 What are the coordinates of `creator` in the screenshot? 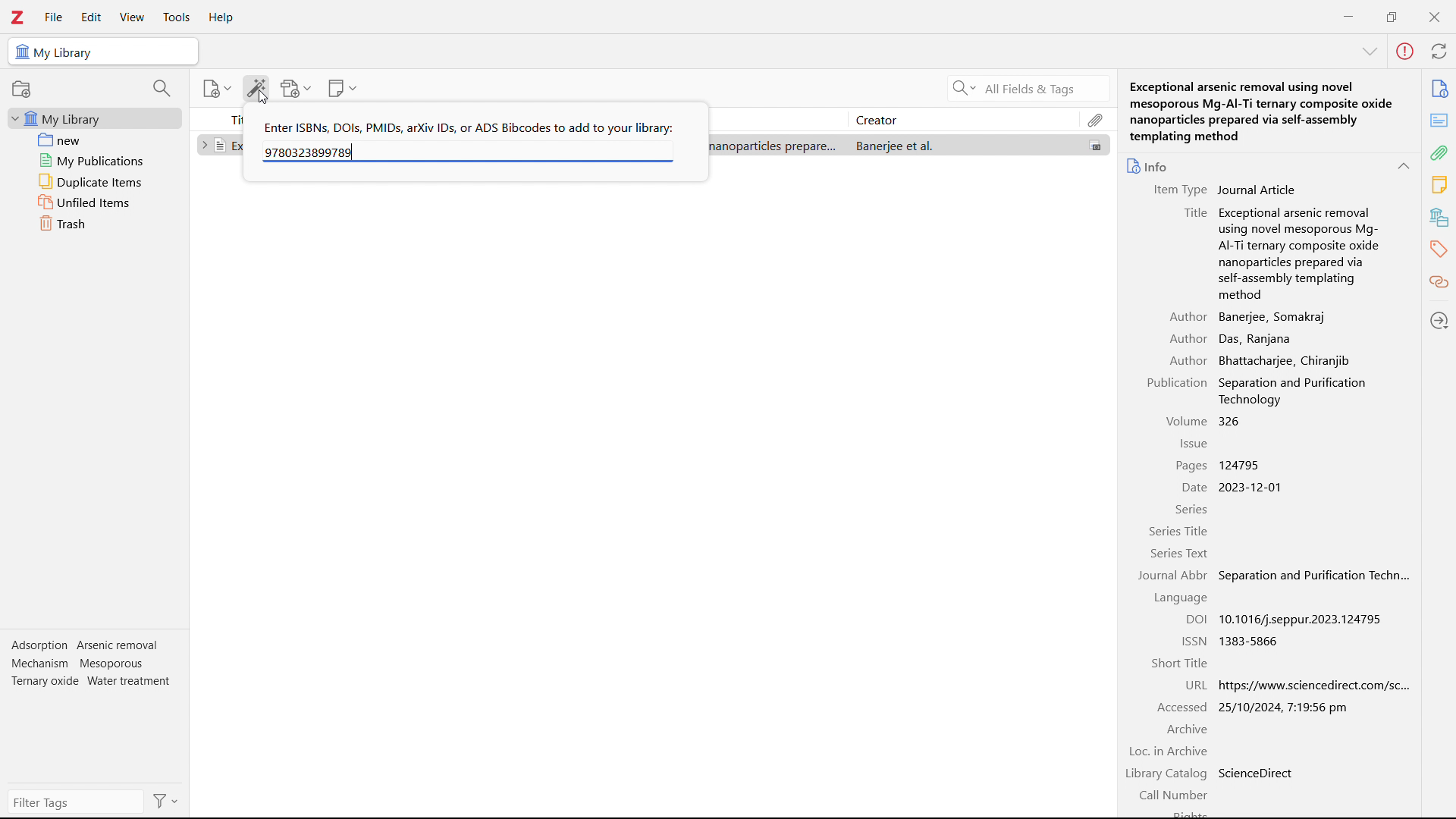 It's located at (962, 119).